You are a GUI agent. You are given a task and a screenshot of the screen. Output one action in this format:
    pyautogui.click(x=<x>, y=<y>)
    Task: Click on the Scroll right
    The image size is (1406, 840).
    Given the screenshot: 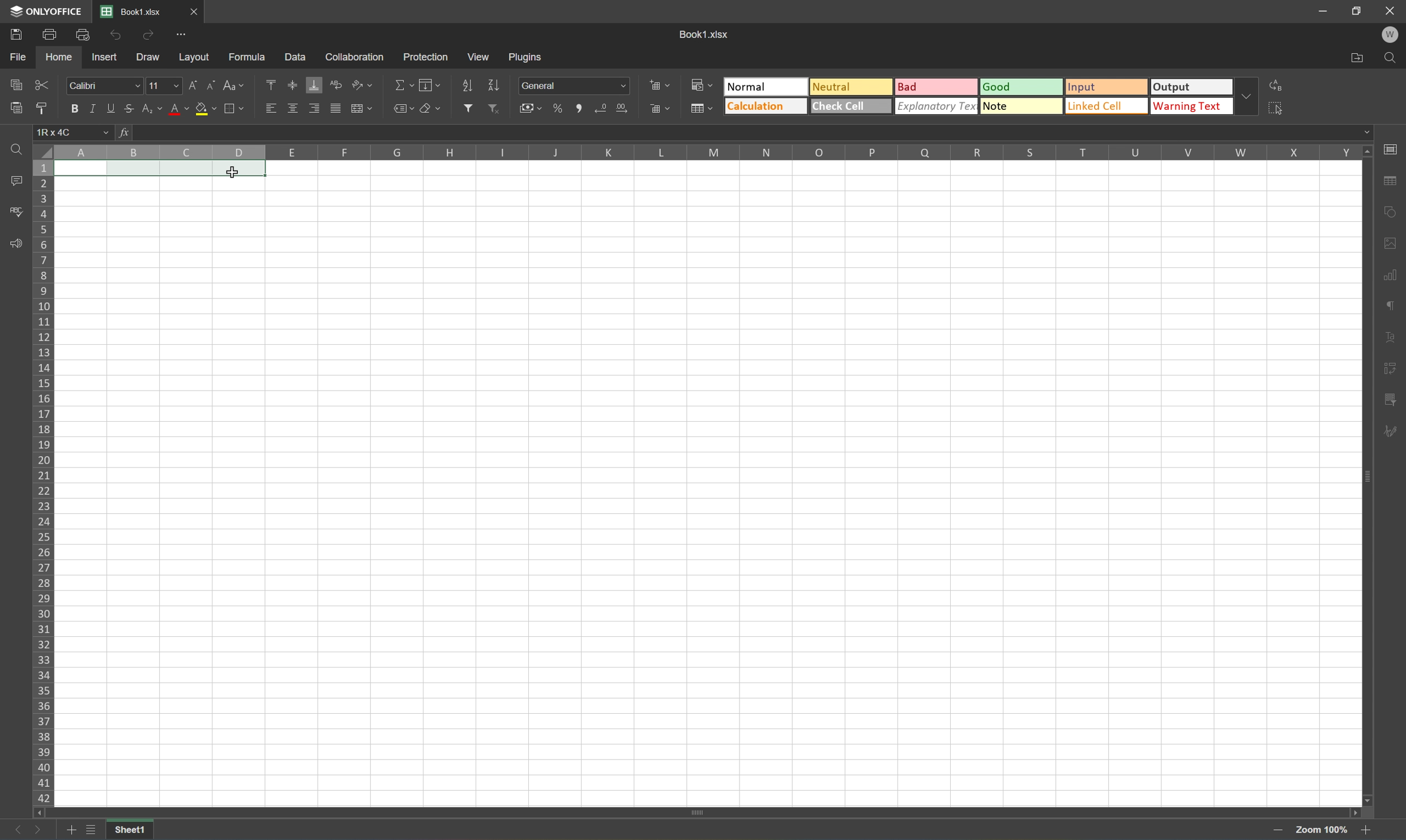 What is the action you would take?
    pyautogui.click(x=1352, y=810)
    